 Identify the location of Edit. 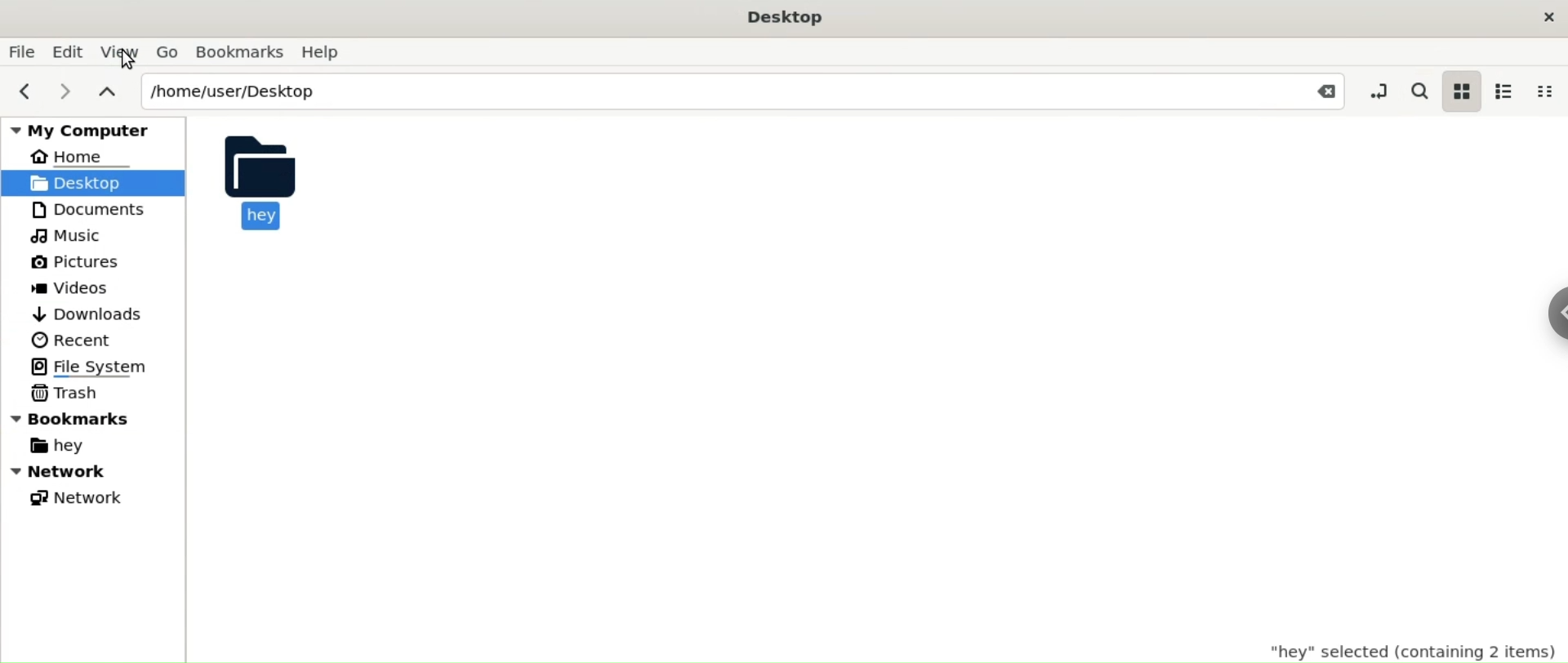
(69, 51).